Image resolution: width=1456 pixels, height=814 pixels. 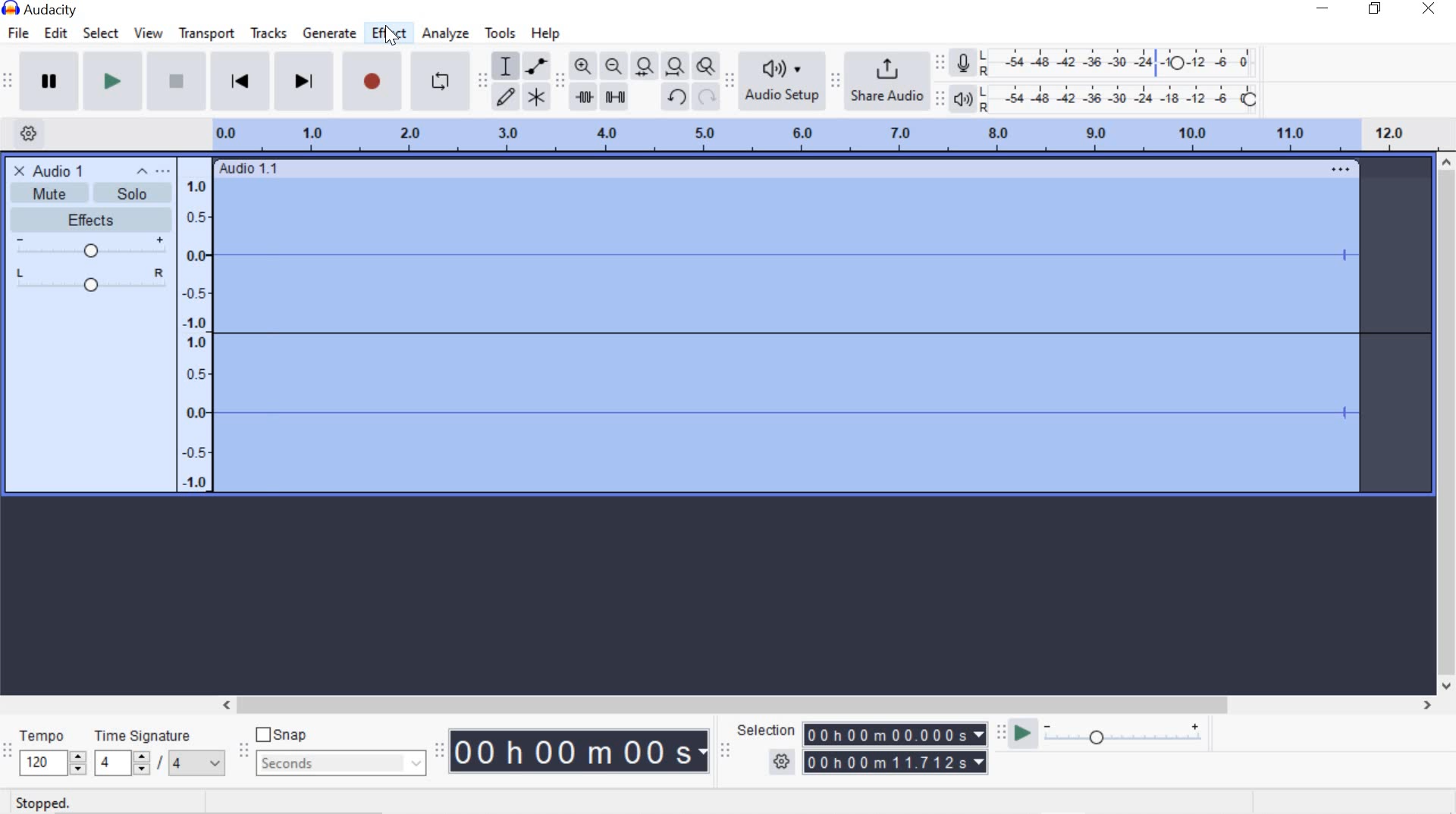 What do you see at coordinates (582, 65) in the screenshot?
I see `Zoom In` at bounding box center [582, 65].